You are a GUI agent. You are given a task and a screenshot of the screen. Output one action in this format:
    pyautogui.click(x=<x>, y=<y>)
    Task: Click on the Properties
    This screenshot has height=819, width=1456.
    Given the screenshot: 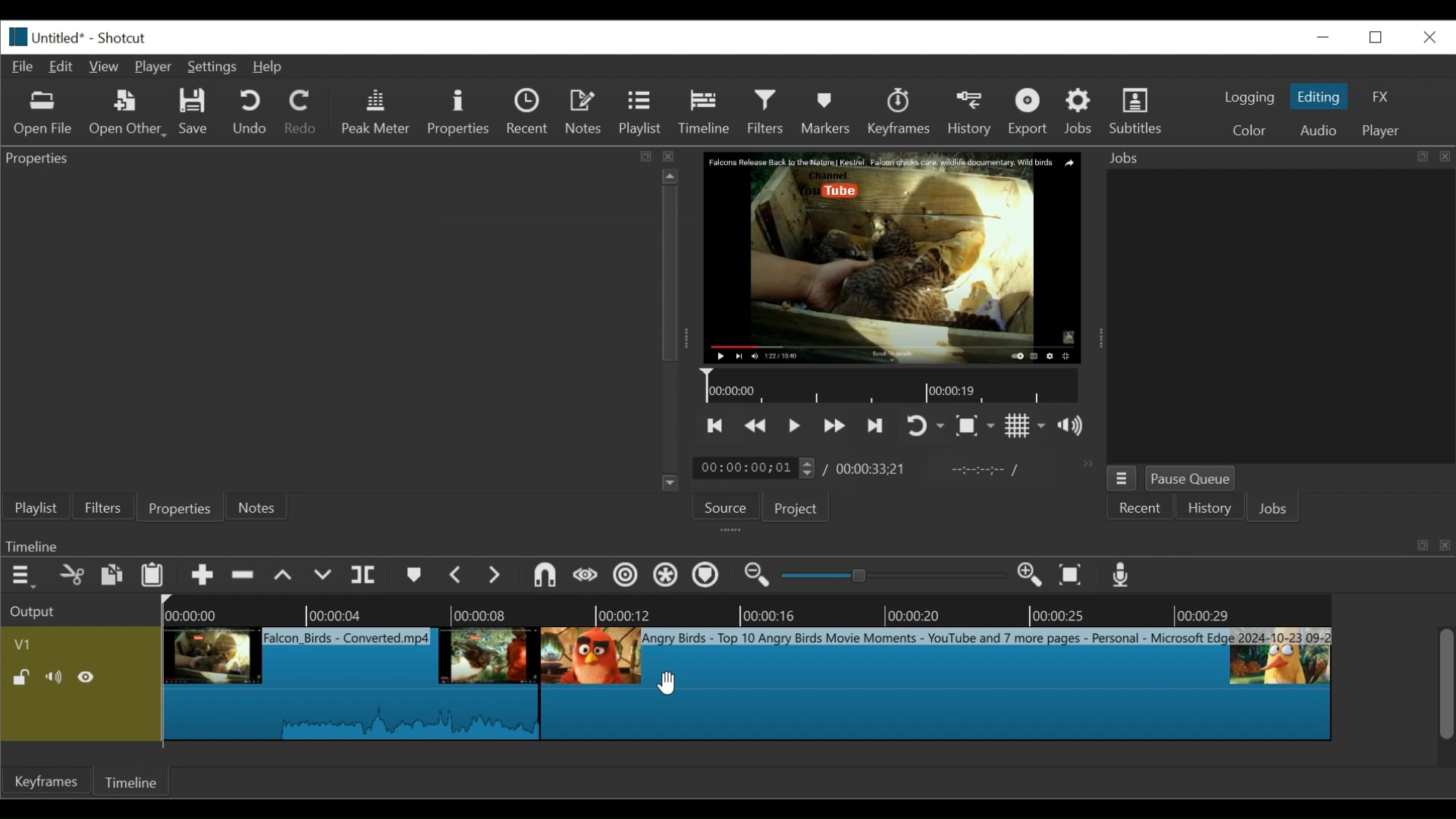 What is the action you would take?
    pyautogui.click(x=179, y=507)
    